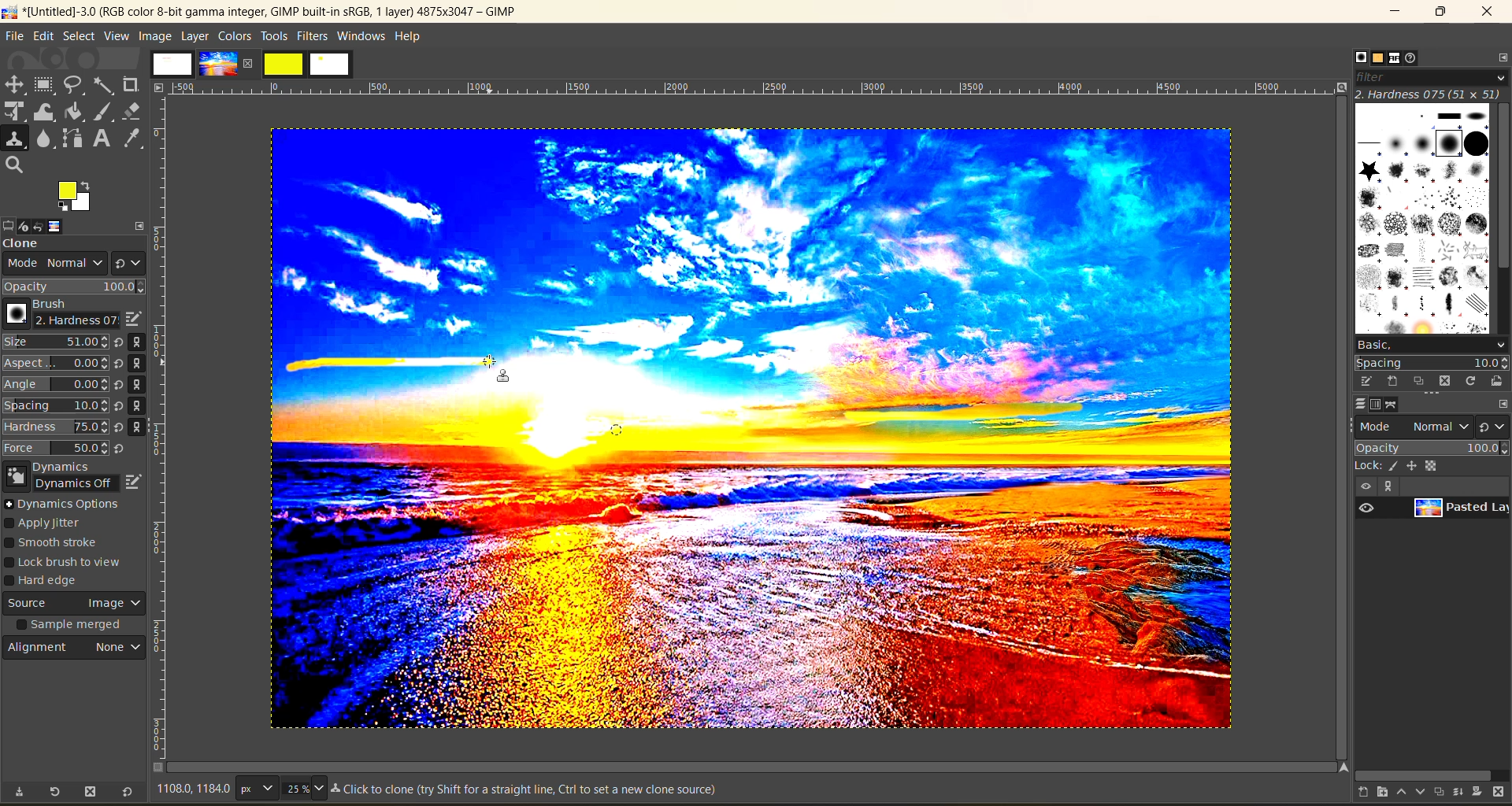 This screenshot has height=806, width=1512. I want to click on wrap transform, so click(46, 113).